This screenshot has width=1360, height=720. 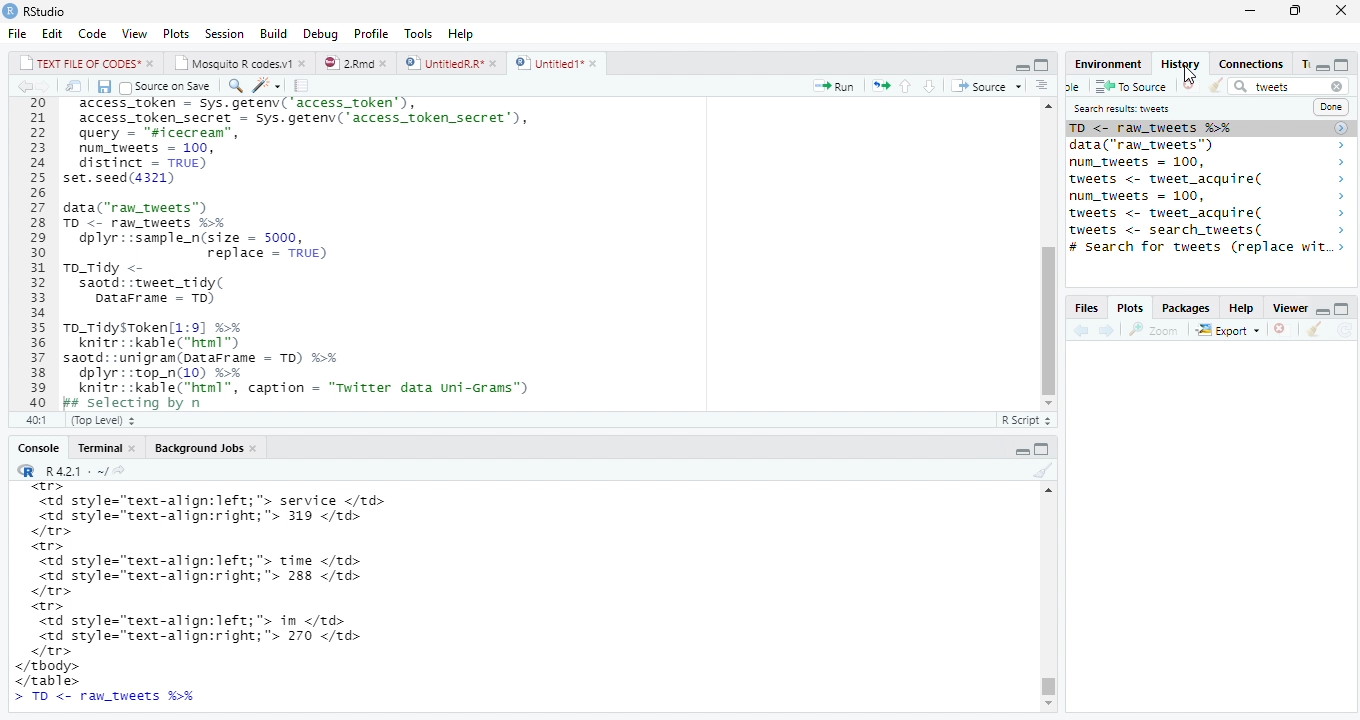 What do you see at coordinates (1202, 85) in the screenshot?
I see `Clear window` at bounding box center [1202, 85].